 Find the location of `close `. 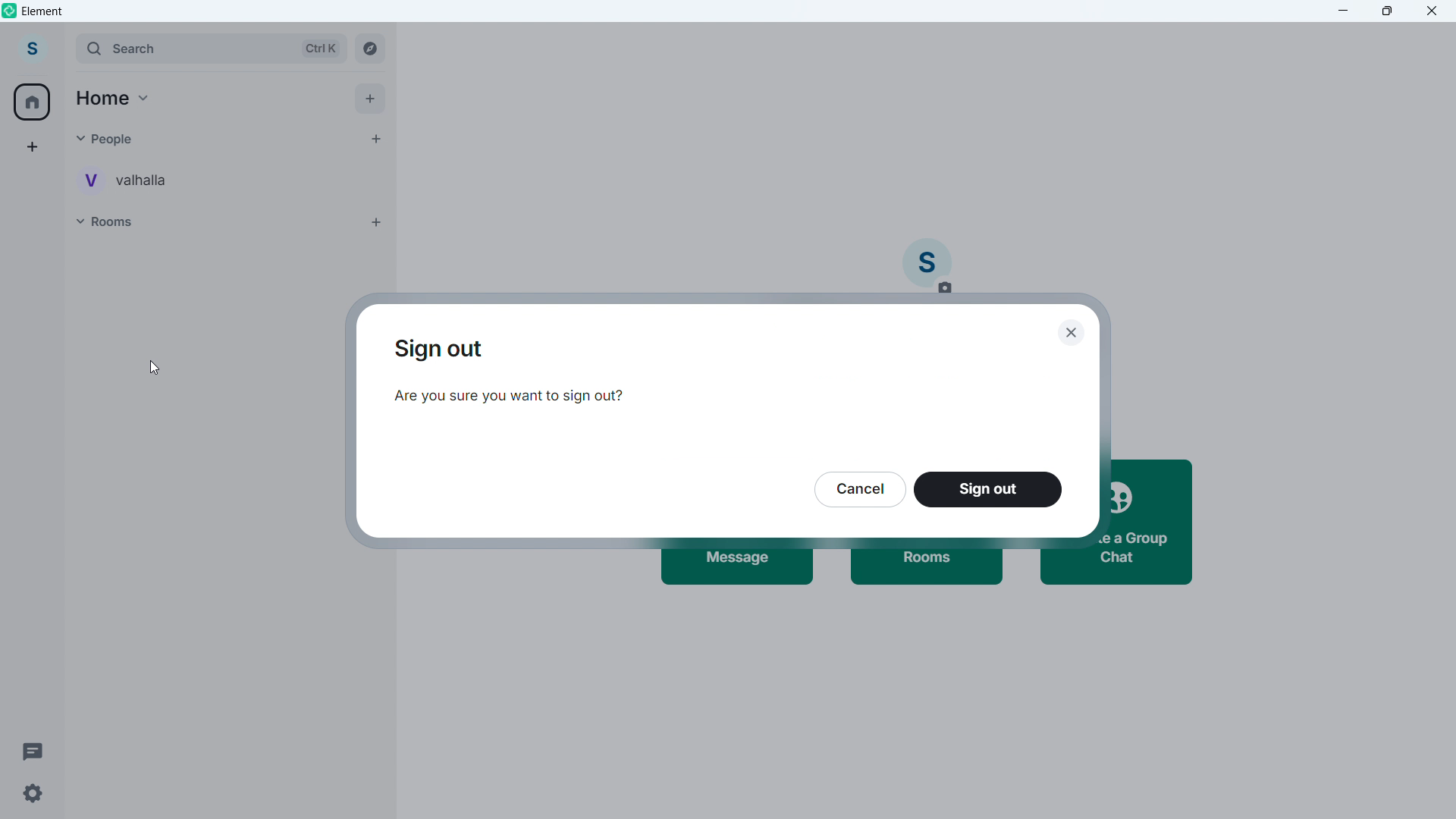

close  is located at coordinates (1069, 333).